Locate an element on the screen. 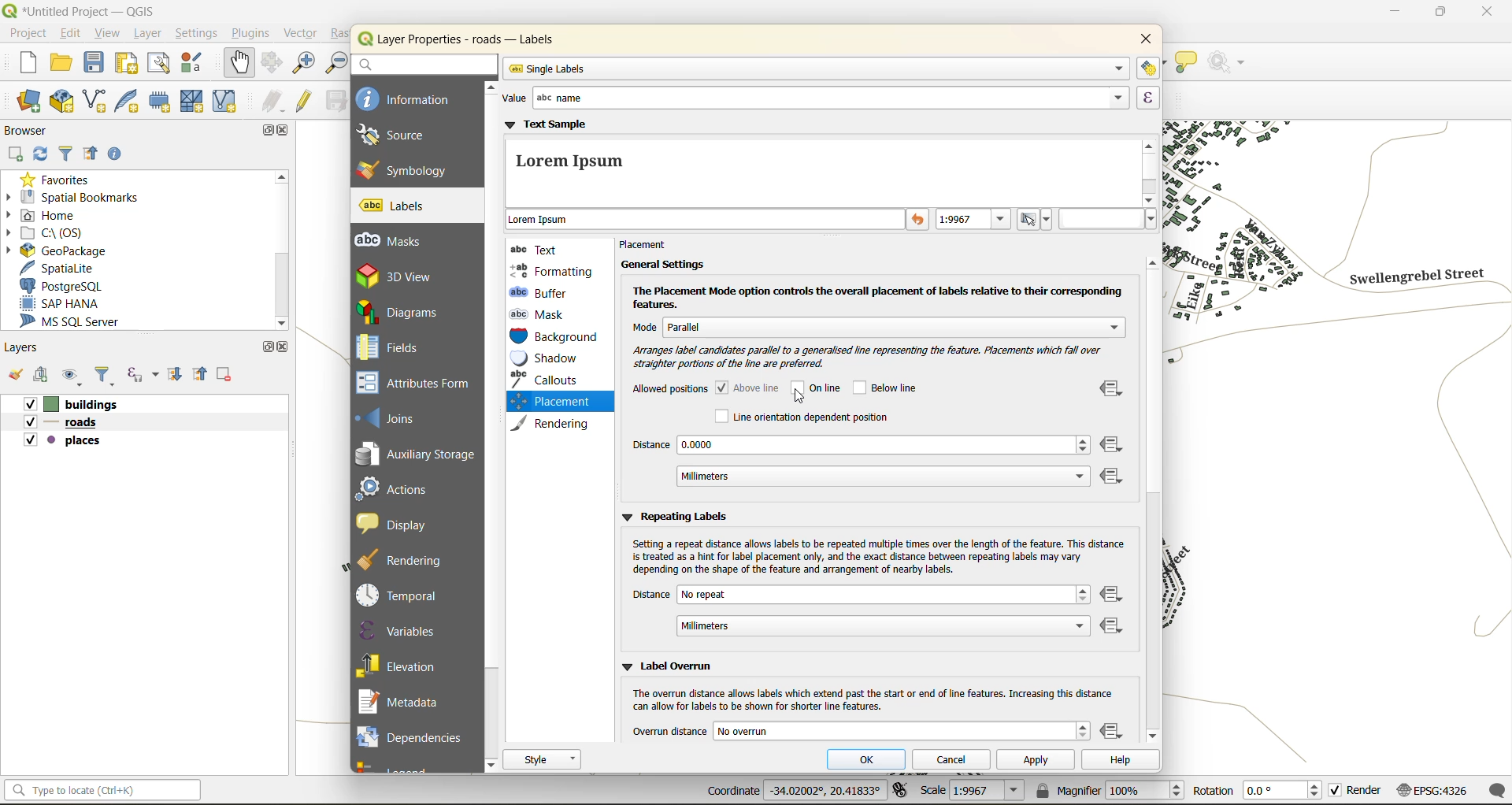  pan to selection is located at coordinates (272, 64).